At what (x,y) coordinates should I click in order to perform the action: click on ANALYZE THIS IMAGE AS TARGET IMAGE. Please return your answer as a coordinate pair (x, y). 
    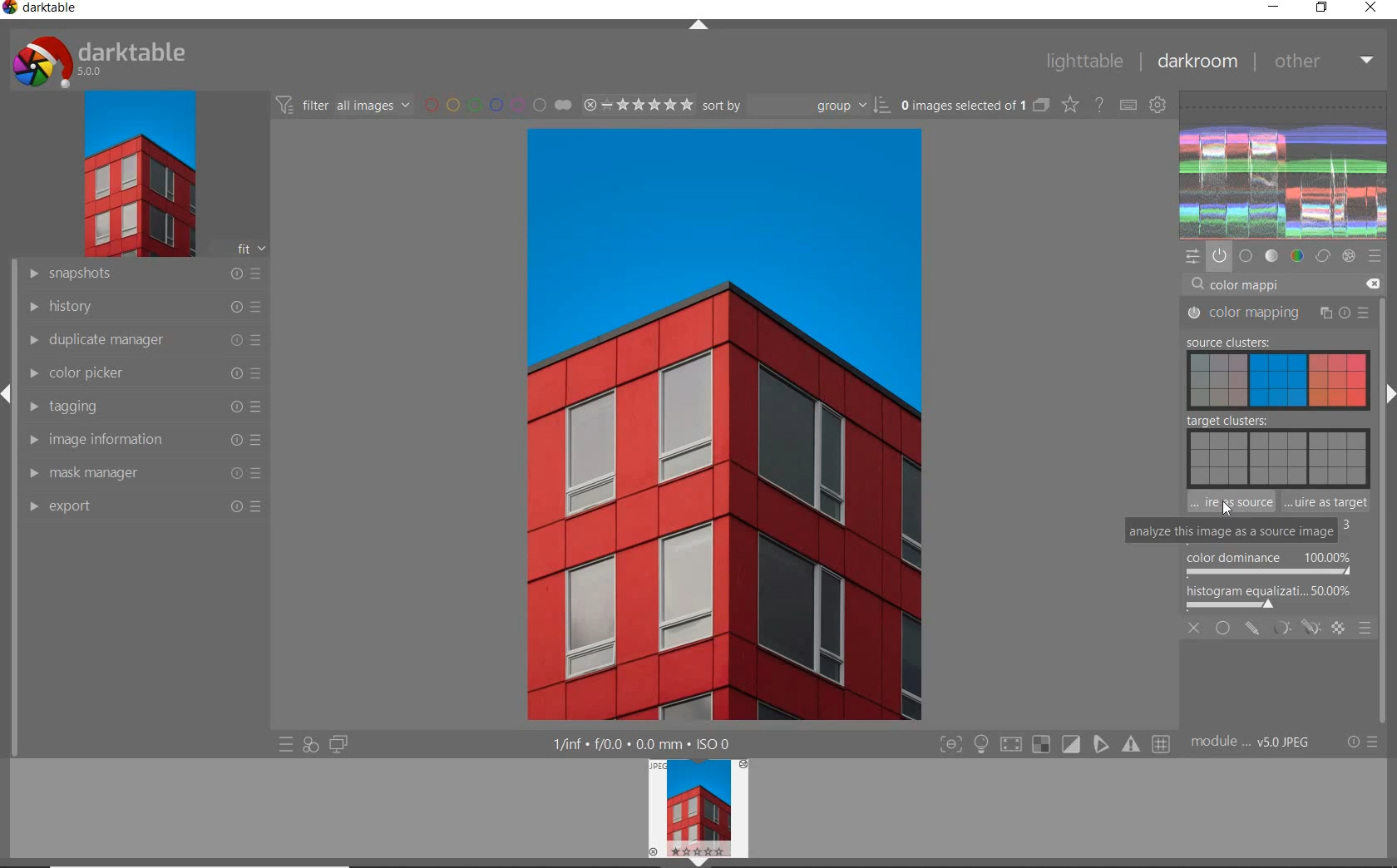
    Looking at the image, I should click on (1328, 502).